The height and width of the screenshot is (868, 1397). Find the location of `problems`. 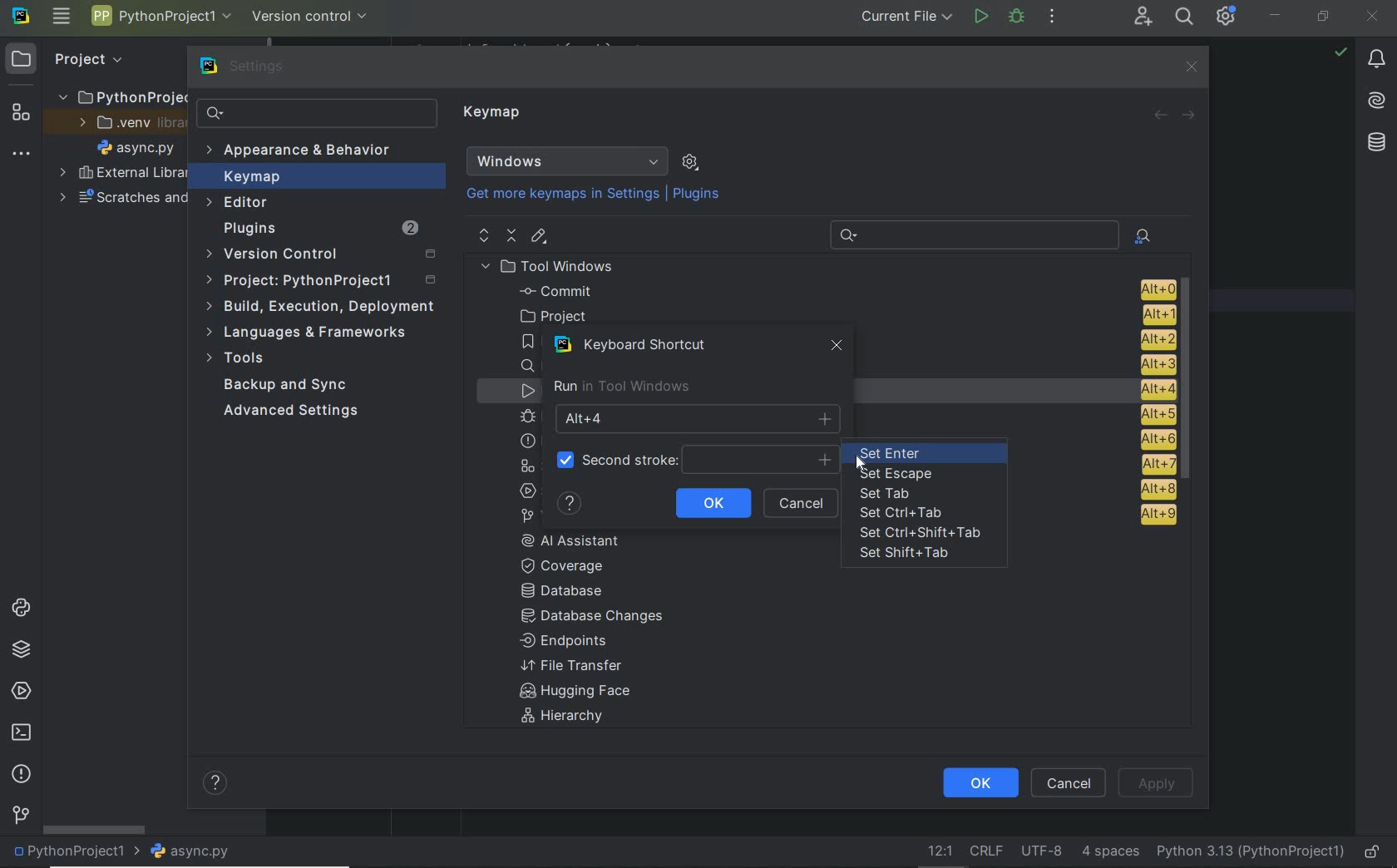

problems is located at coordinates (21, 775).